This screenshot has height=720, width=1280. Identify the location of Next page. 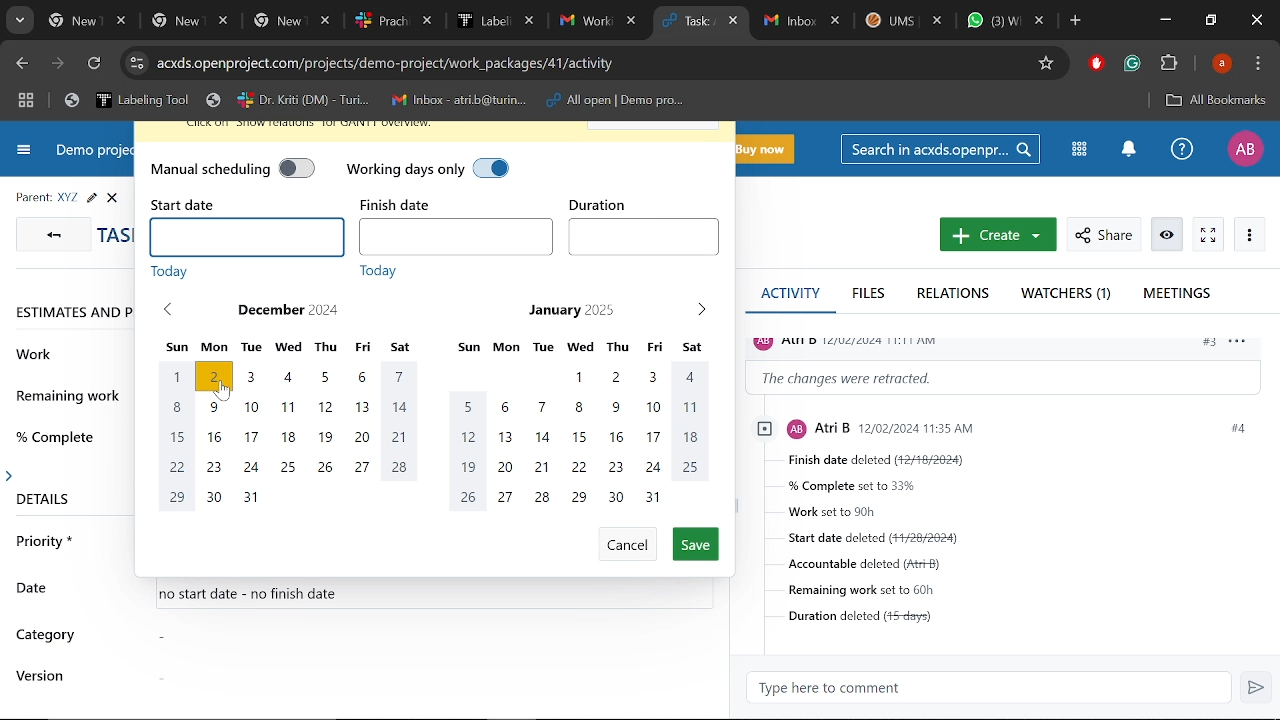
(60, 65).